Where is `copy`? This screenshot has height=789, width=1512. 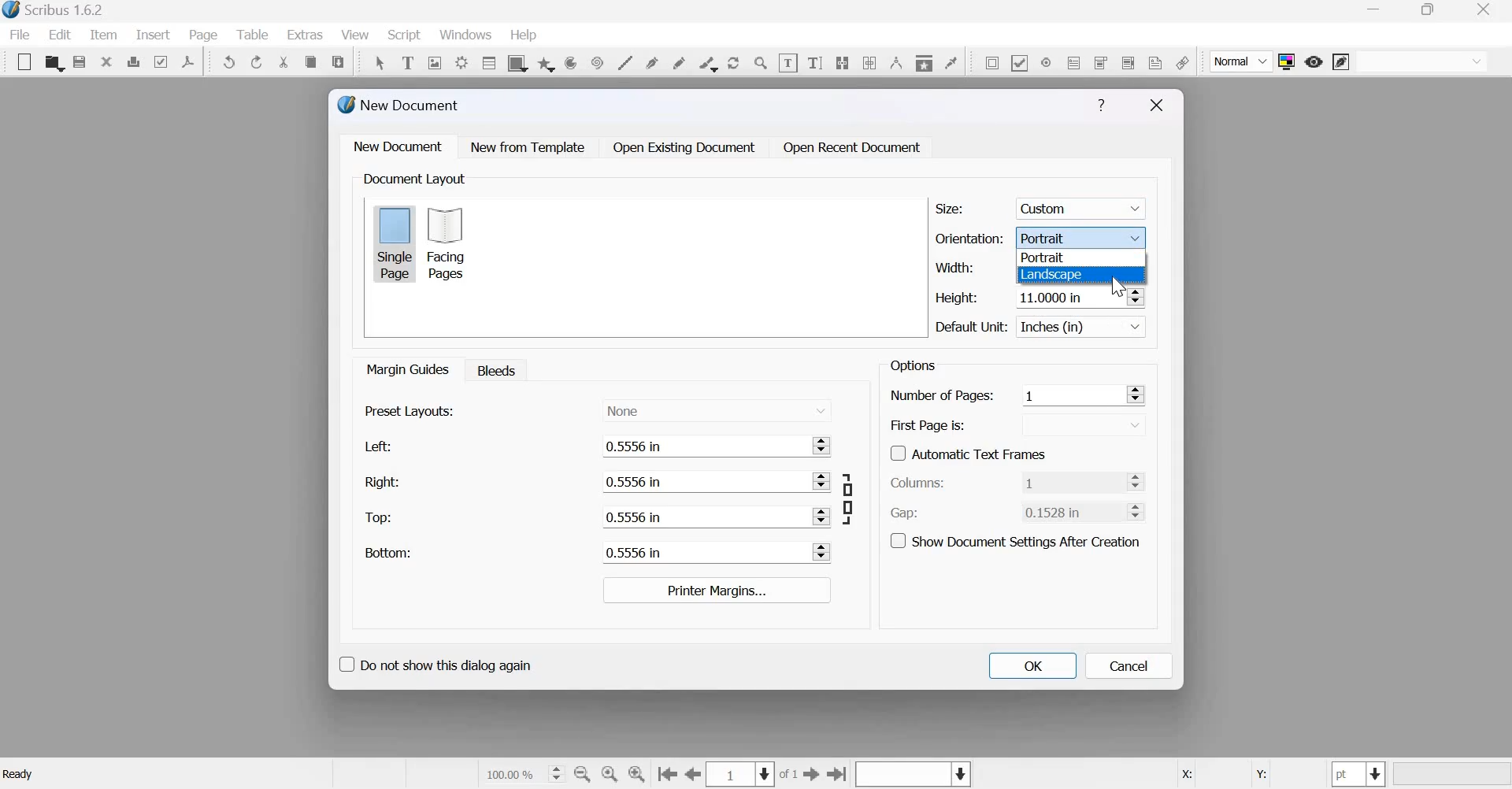
copy is located at coordinates (310, 62).